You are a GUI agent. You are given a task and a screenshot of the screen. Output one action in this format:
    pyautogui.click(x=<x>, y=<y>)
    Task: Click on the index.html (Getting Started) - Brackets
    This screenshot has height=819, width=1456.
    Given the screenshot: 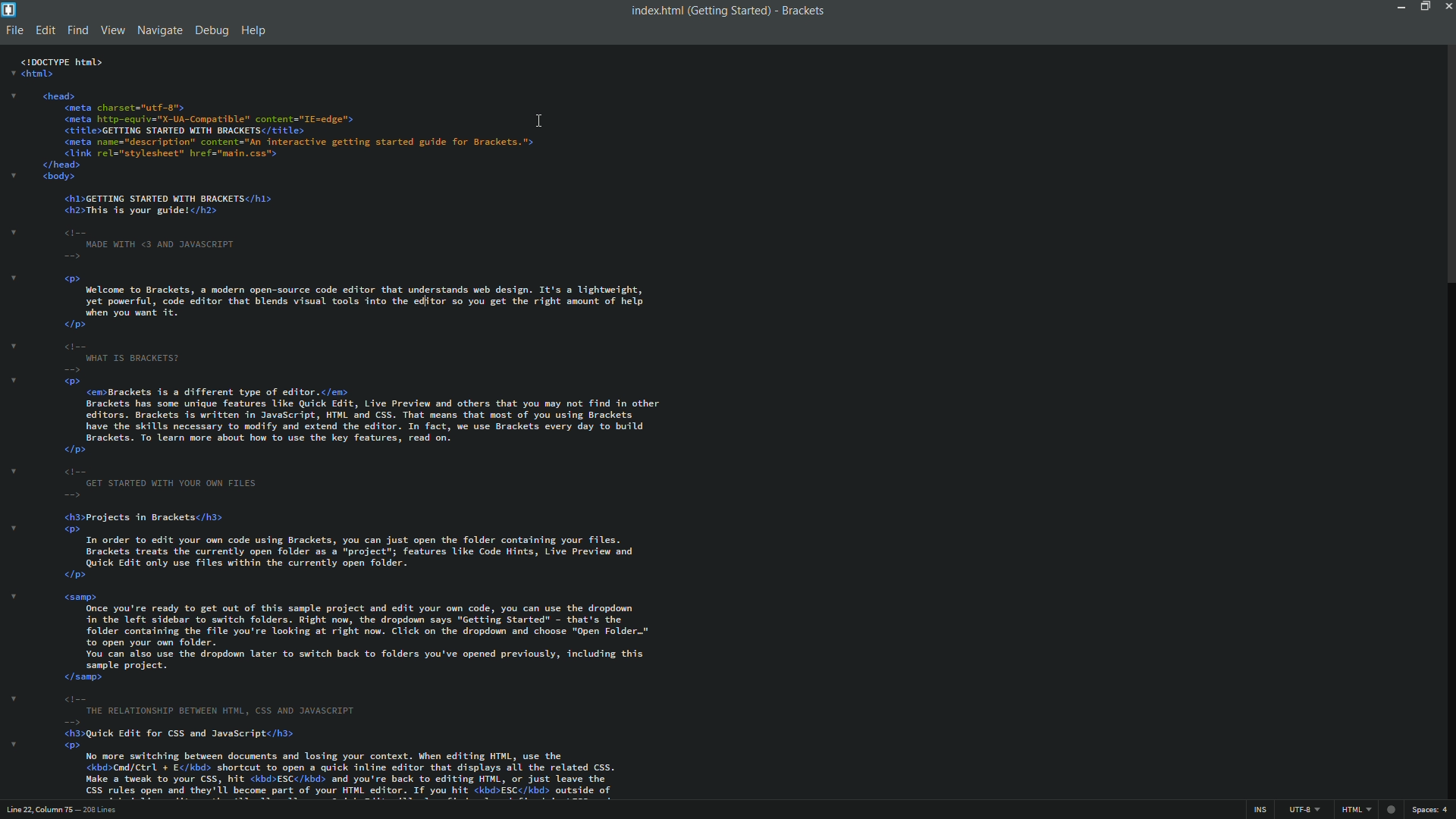 What is the action you would take?
    pyautogui.click(x=723, y=11)
    